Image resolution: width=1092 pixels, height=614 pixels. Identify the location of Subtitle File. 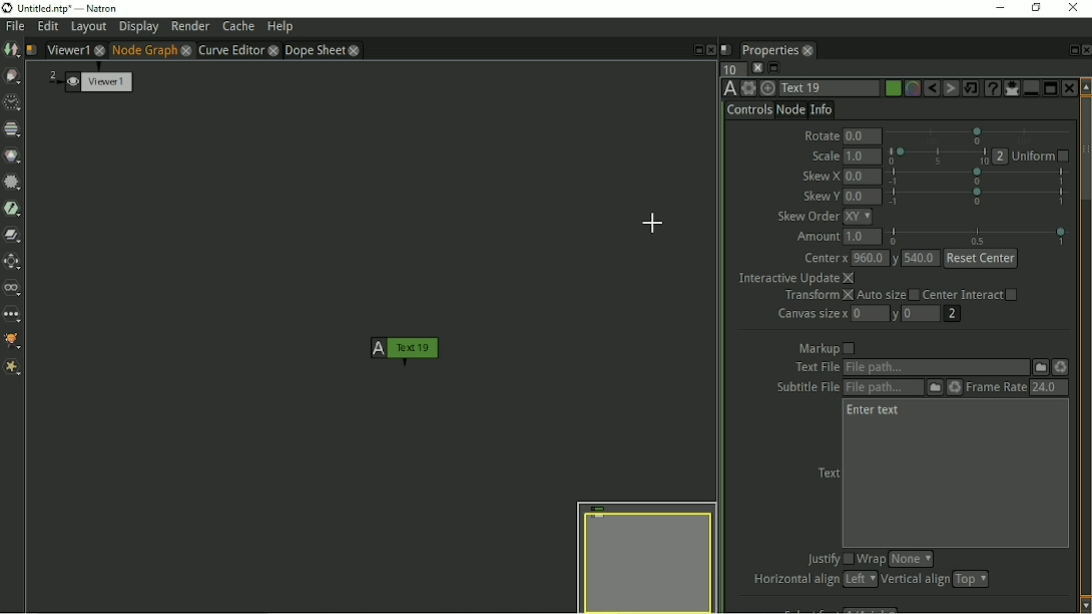
(882, 388).